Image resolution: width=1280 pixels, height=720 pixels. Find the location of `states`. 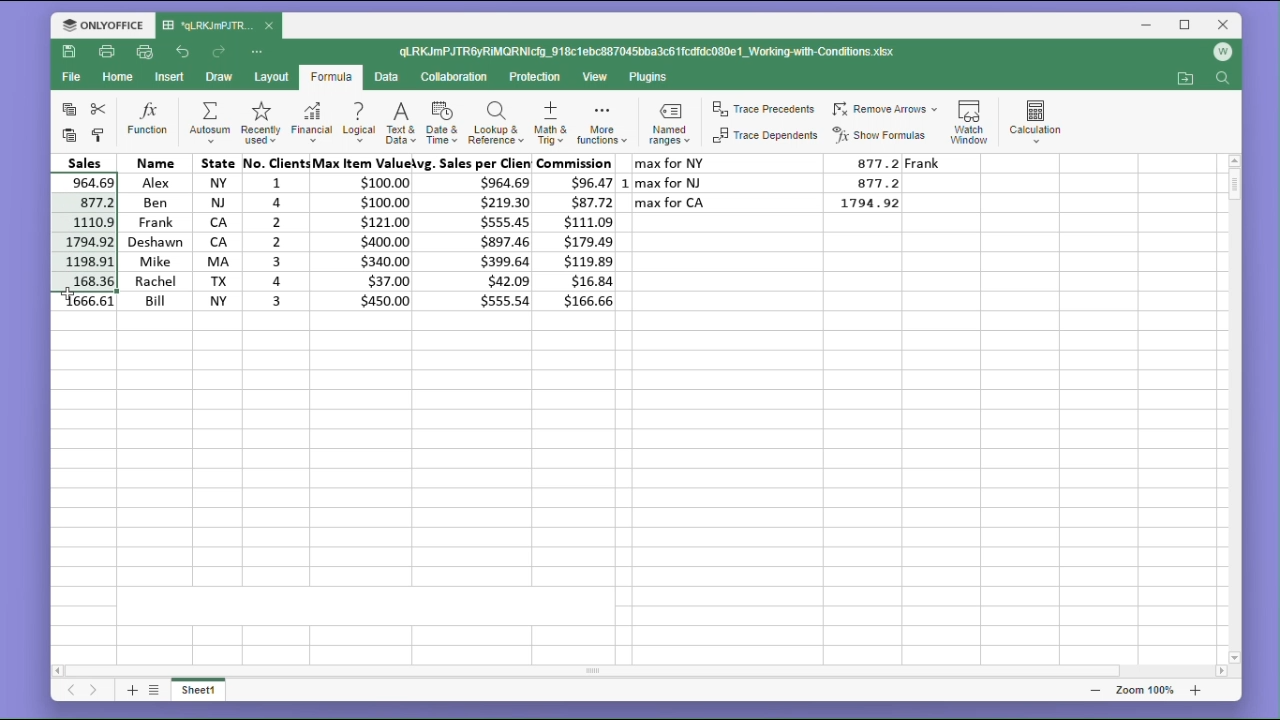

states is located at coordinates (211, 232).